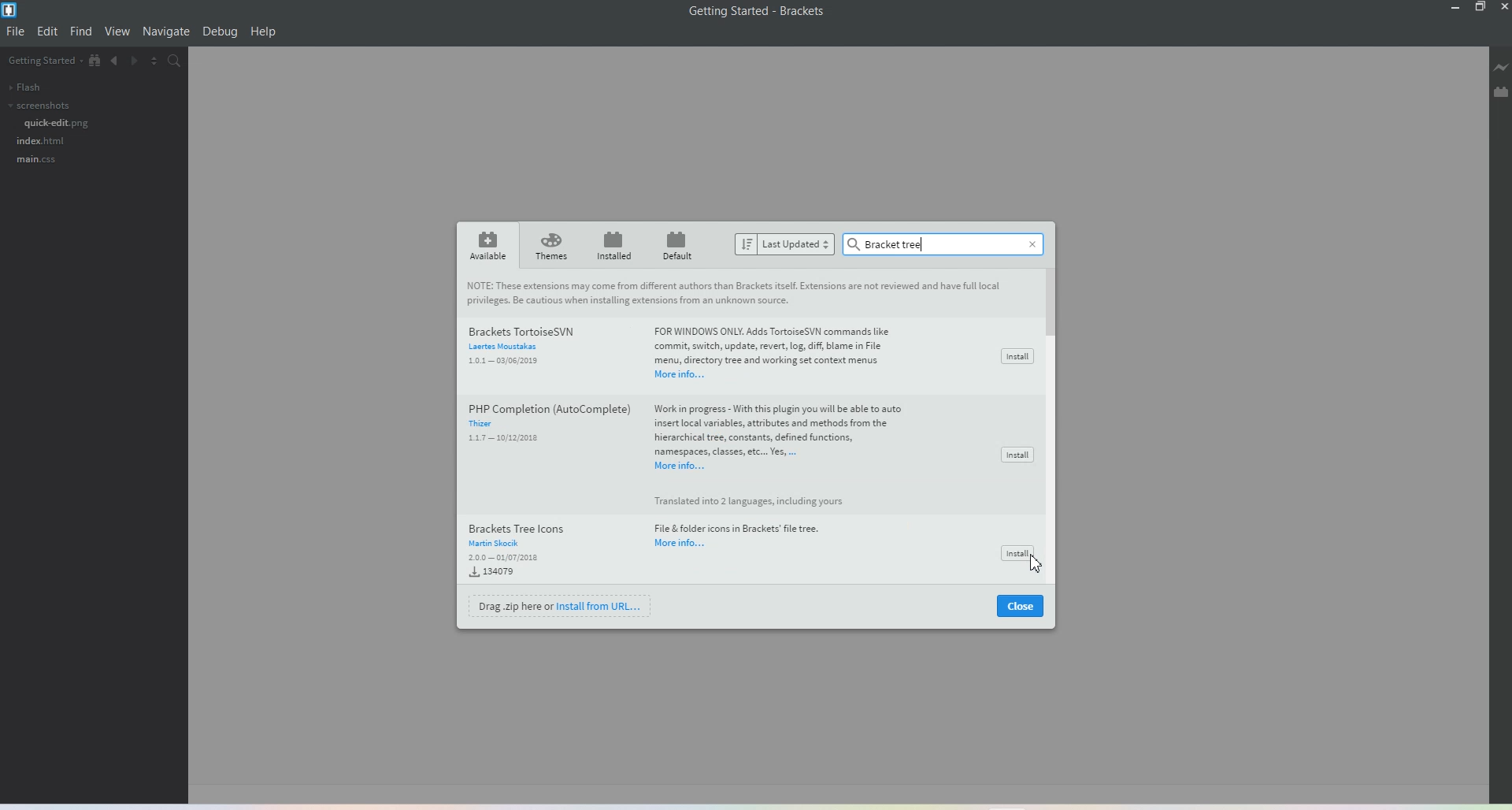 The width and height of the screenshot is (1512, 810). Describe the element at coordinates (95, 61) in the screenshot. I see `Show in the file tree` at that location.